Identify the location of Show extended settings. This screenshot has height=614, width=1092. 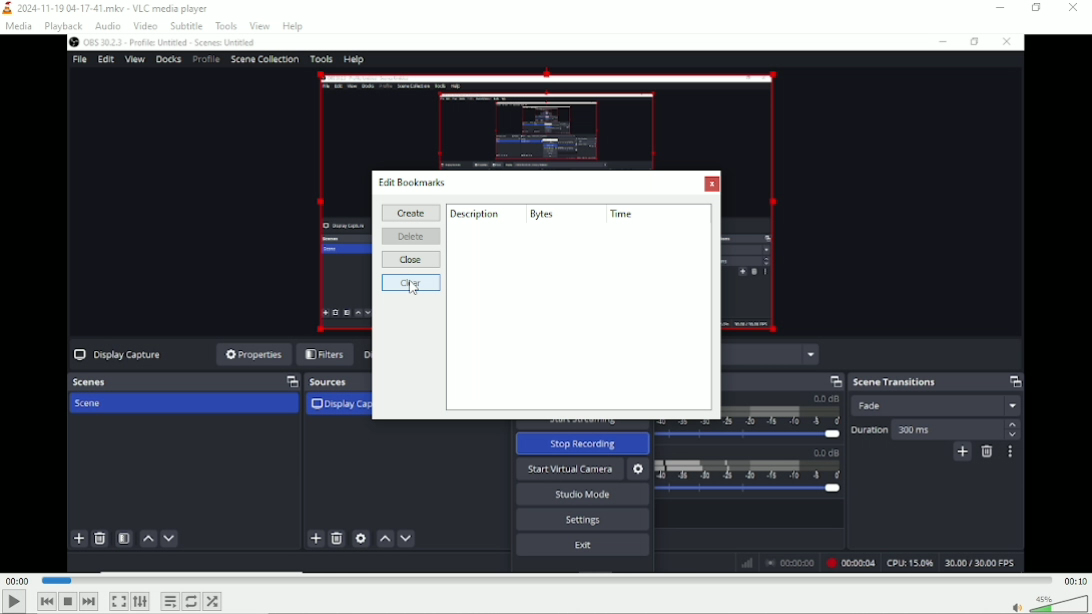
(140, 602).